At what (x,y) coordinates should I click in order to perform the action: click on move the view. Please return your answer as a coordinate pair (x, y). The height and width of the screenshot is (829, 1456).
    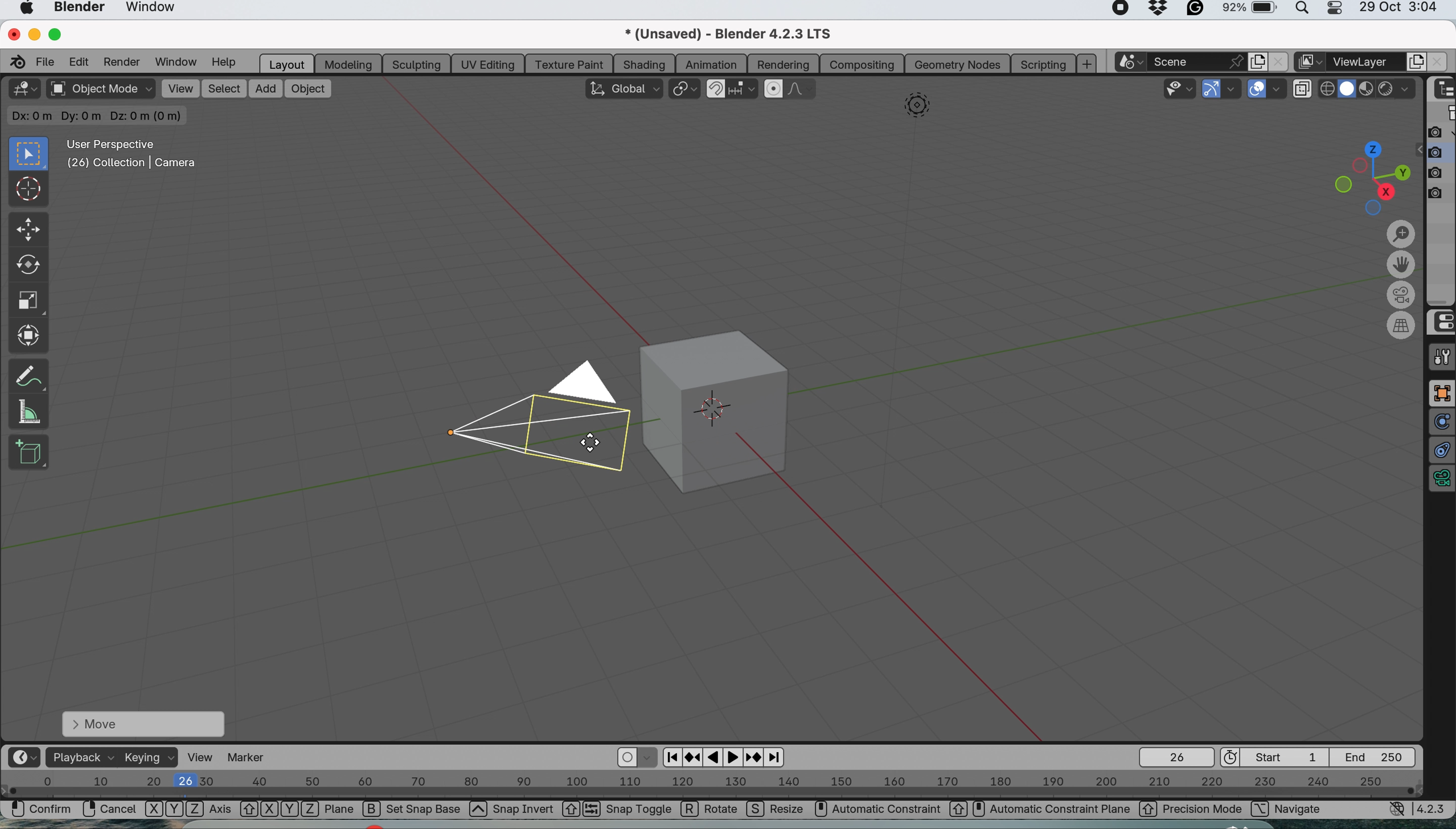
    Looking at the image, I should click on (1401, 266).